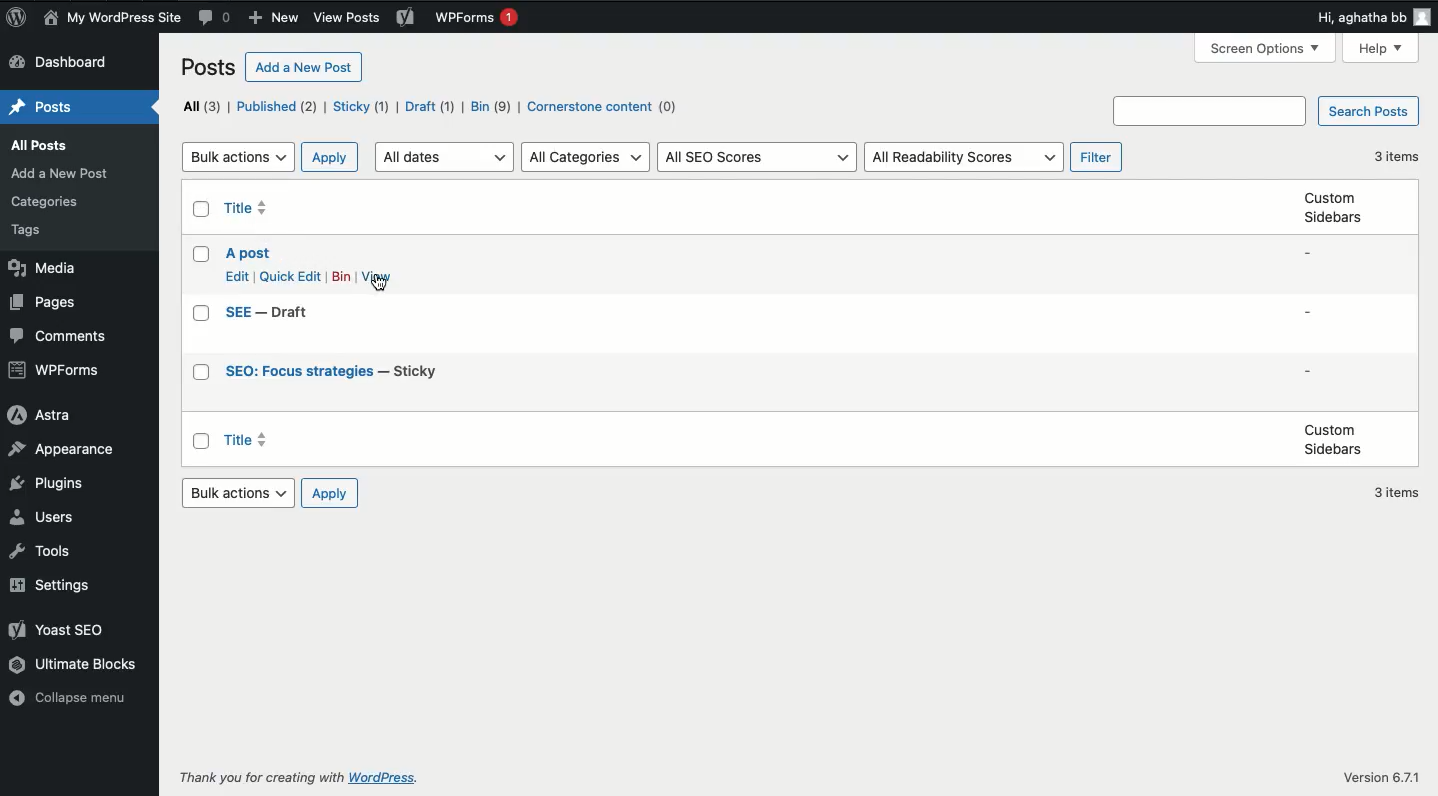 The image size is (1438, 796). I want to click on Bin, so click(343, 276).